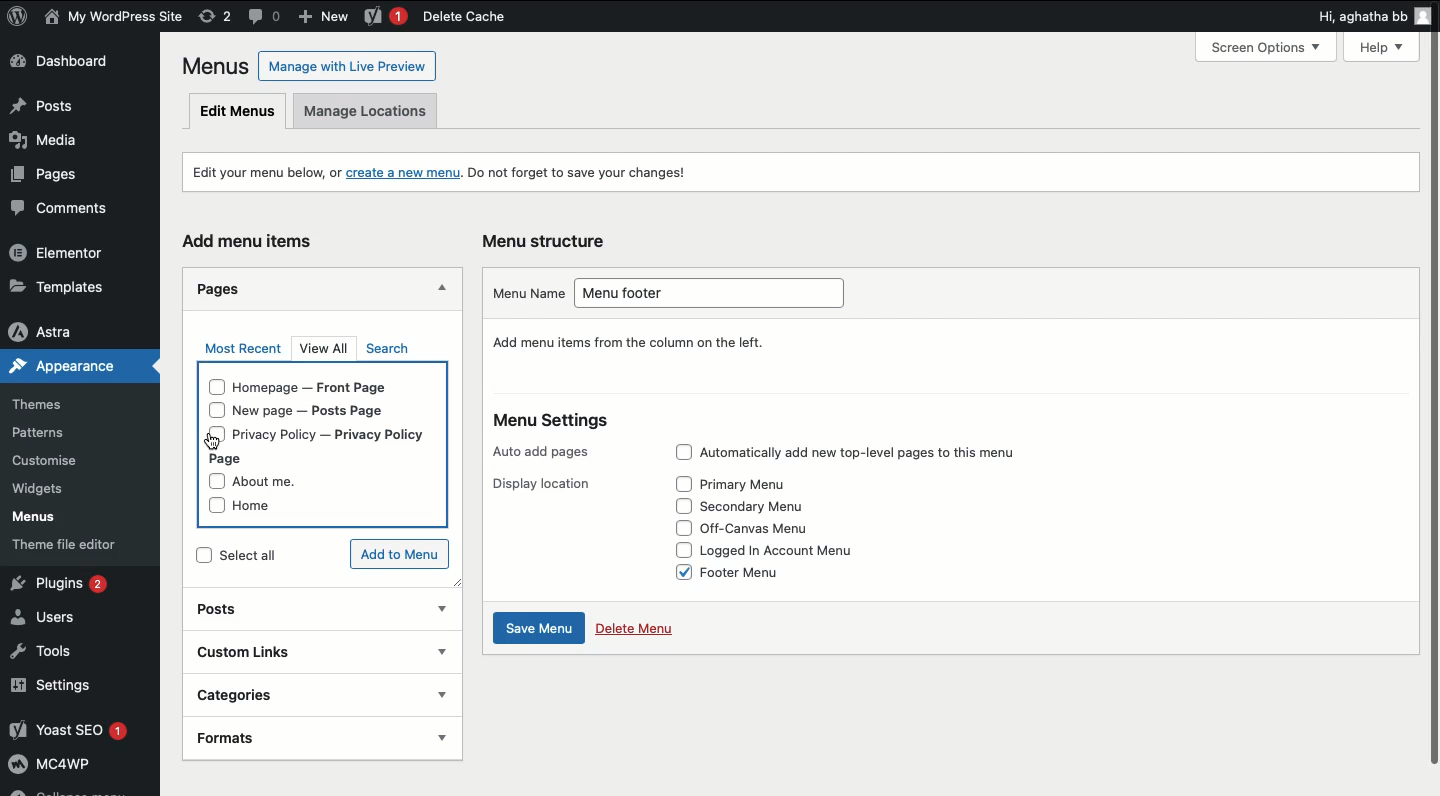 This screenshot has height=796, width=1440. Describe the element at coordinates (114, 18) in the screenshot. I see `User` at that location.